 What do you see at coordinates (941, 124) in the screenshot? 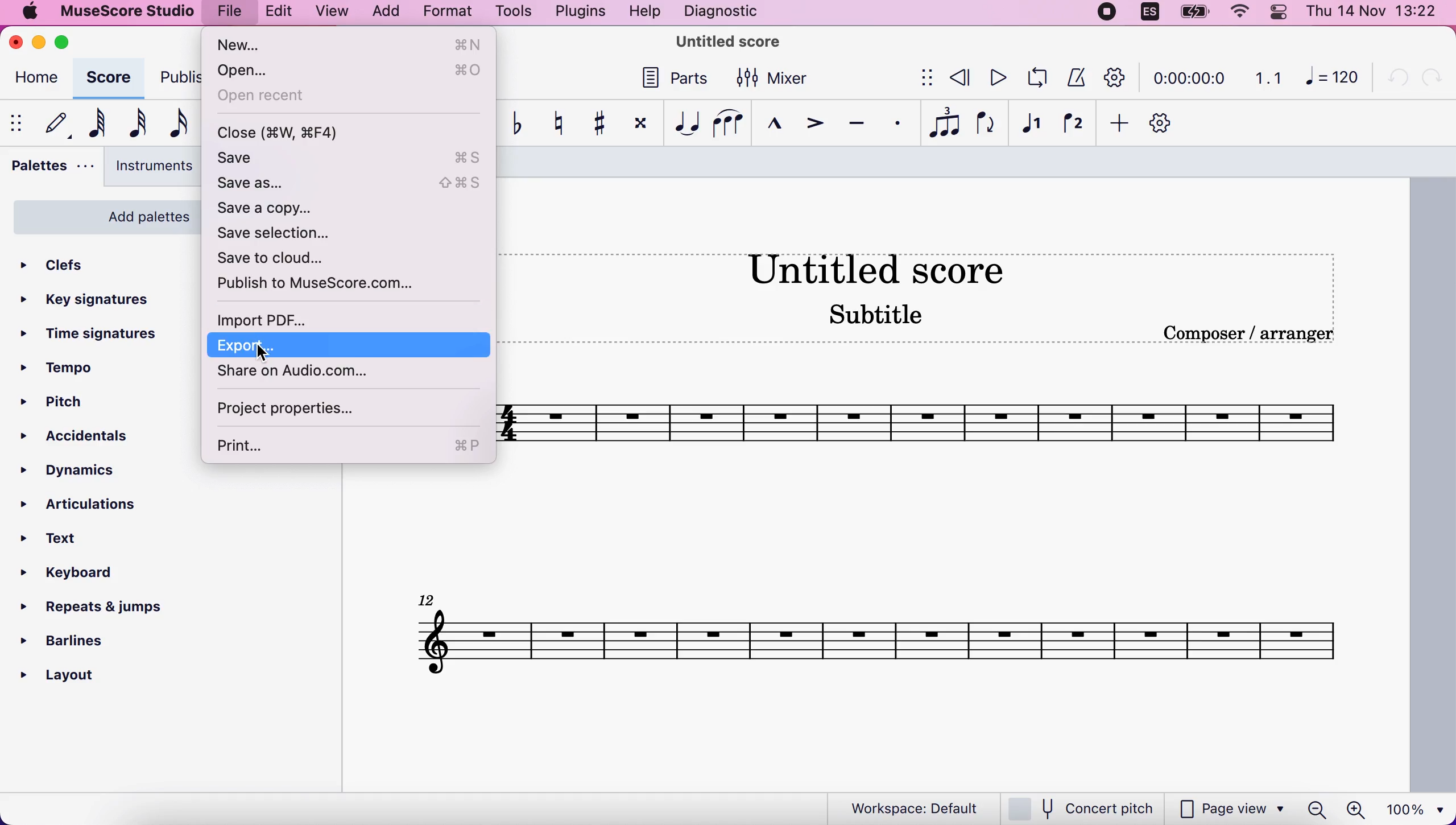
I see `tuples` at bounding box center [941, 124].